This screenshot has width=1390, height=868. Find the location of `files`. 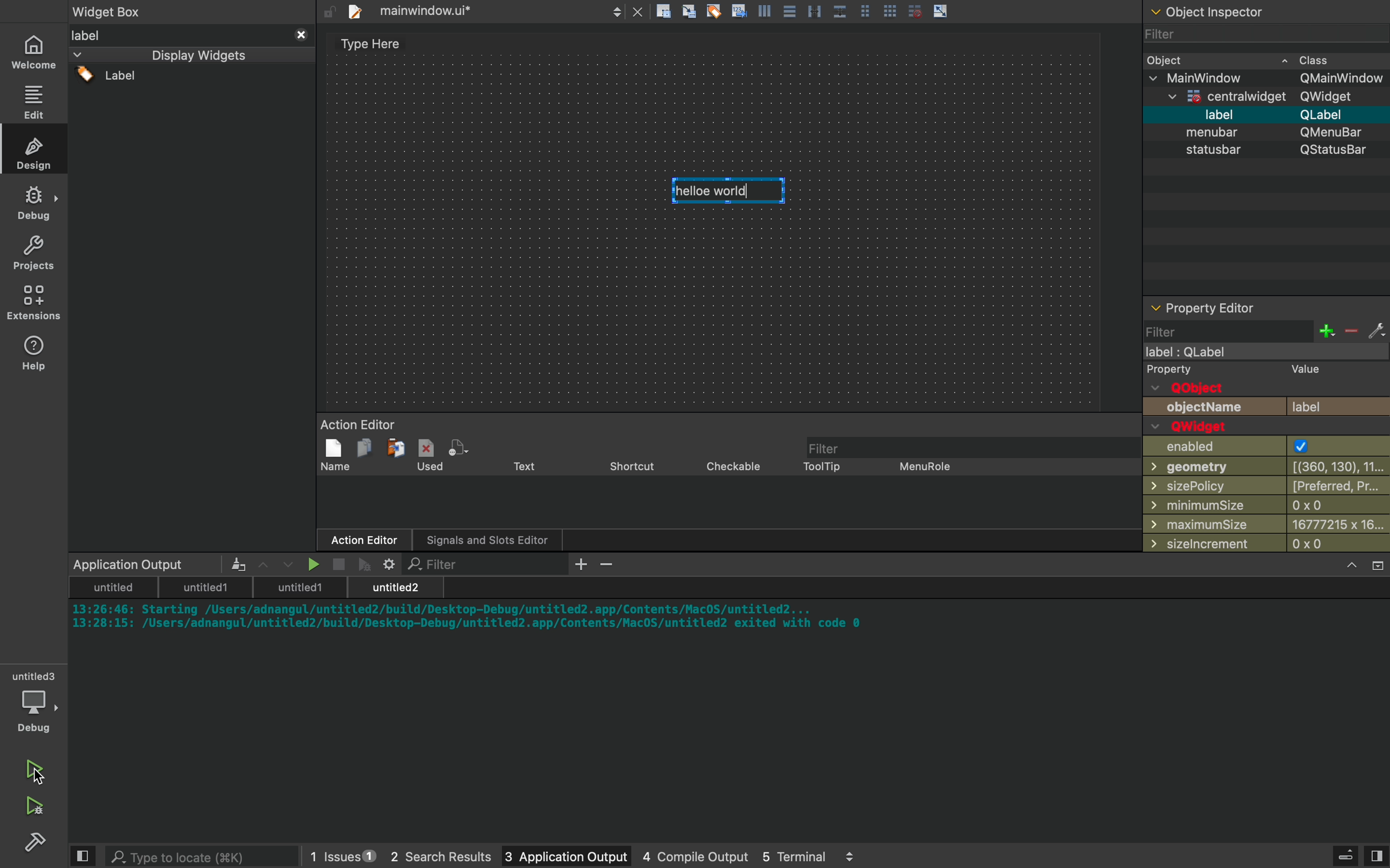

files is located at coordinates (481, 11).